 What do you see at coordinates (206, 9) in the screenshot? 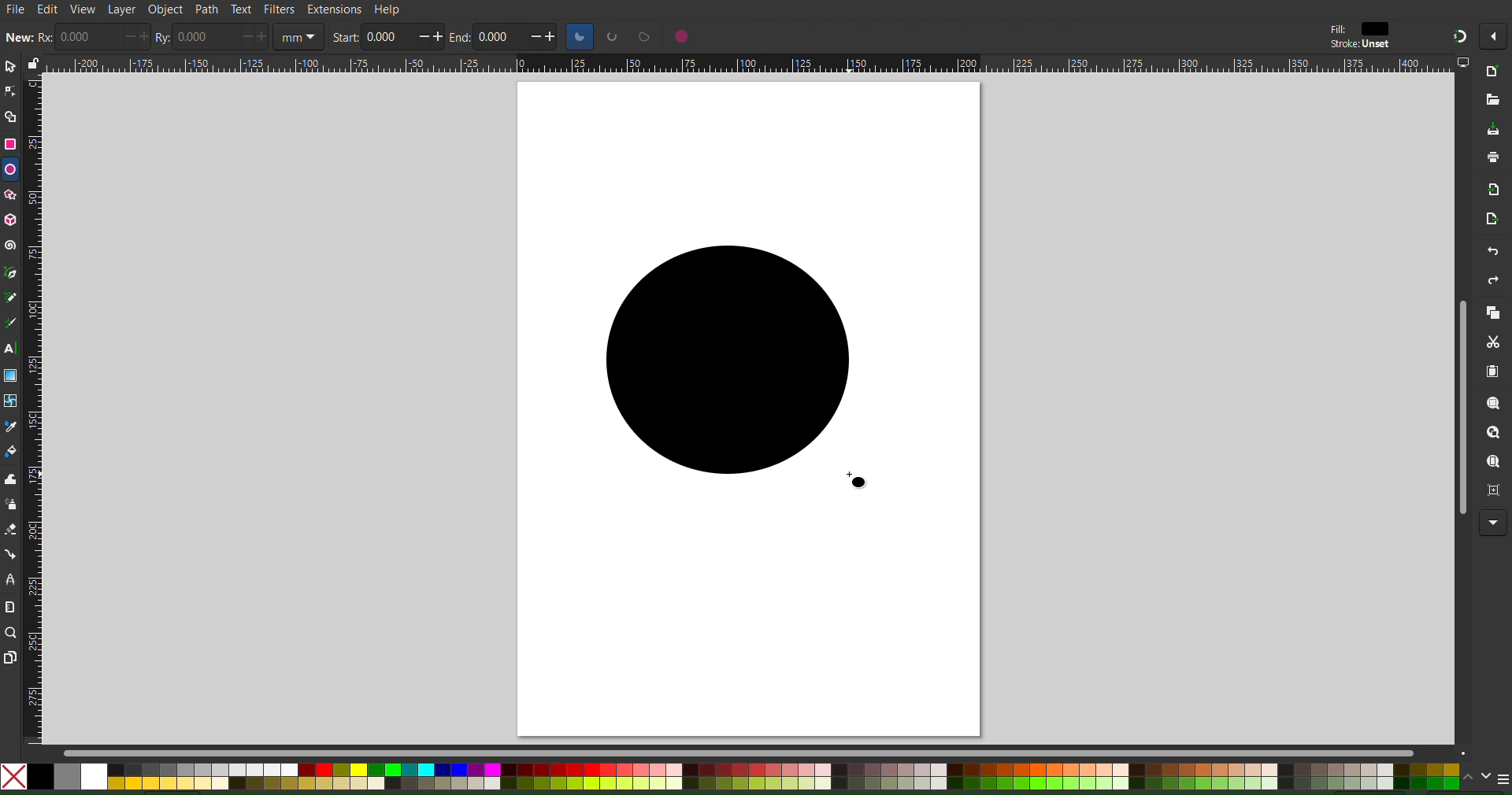
I see `Path` at bounding box center [206, 9].